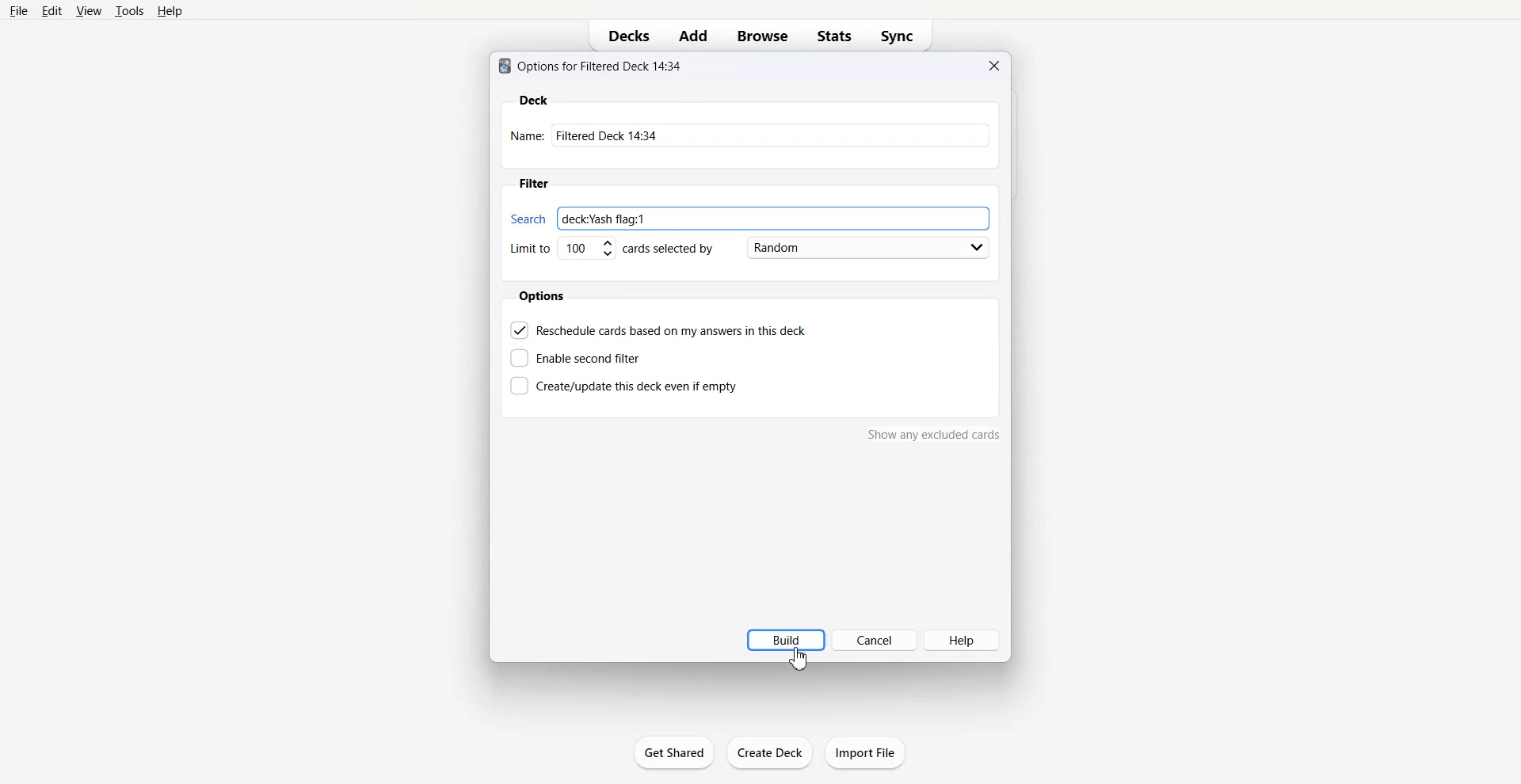  Describe the element at coordinates (865, 752) in the screenshot. I see `Import File` at that location.